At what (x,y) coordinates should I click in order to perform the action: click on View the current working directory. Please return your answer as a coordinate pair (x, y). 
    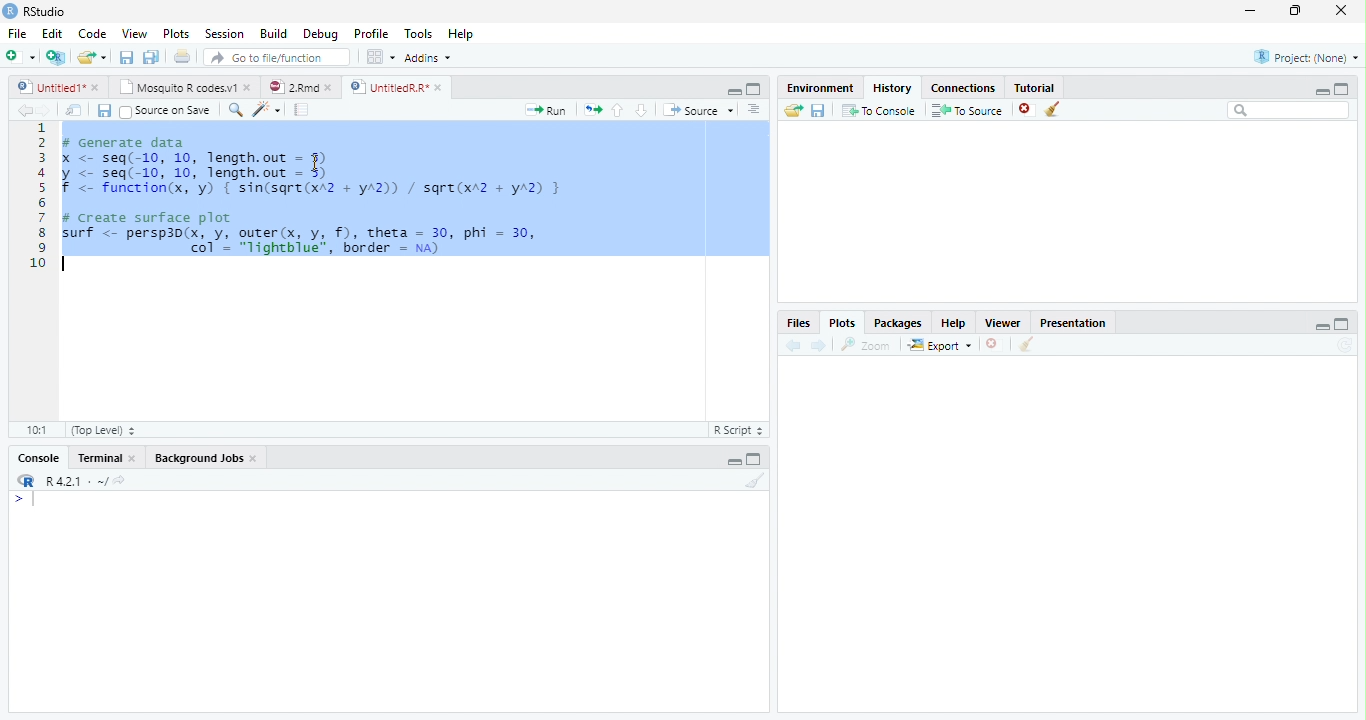
    Looking at the image, I should click on (120, 478).